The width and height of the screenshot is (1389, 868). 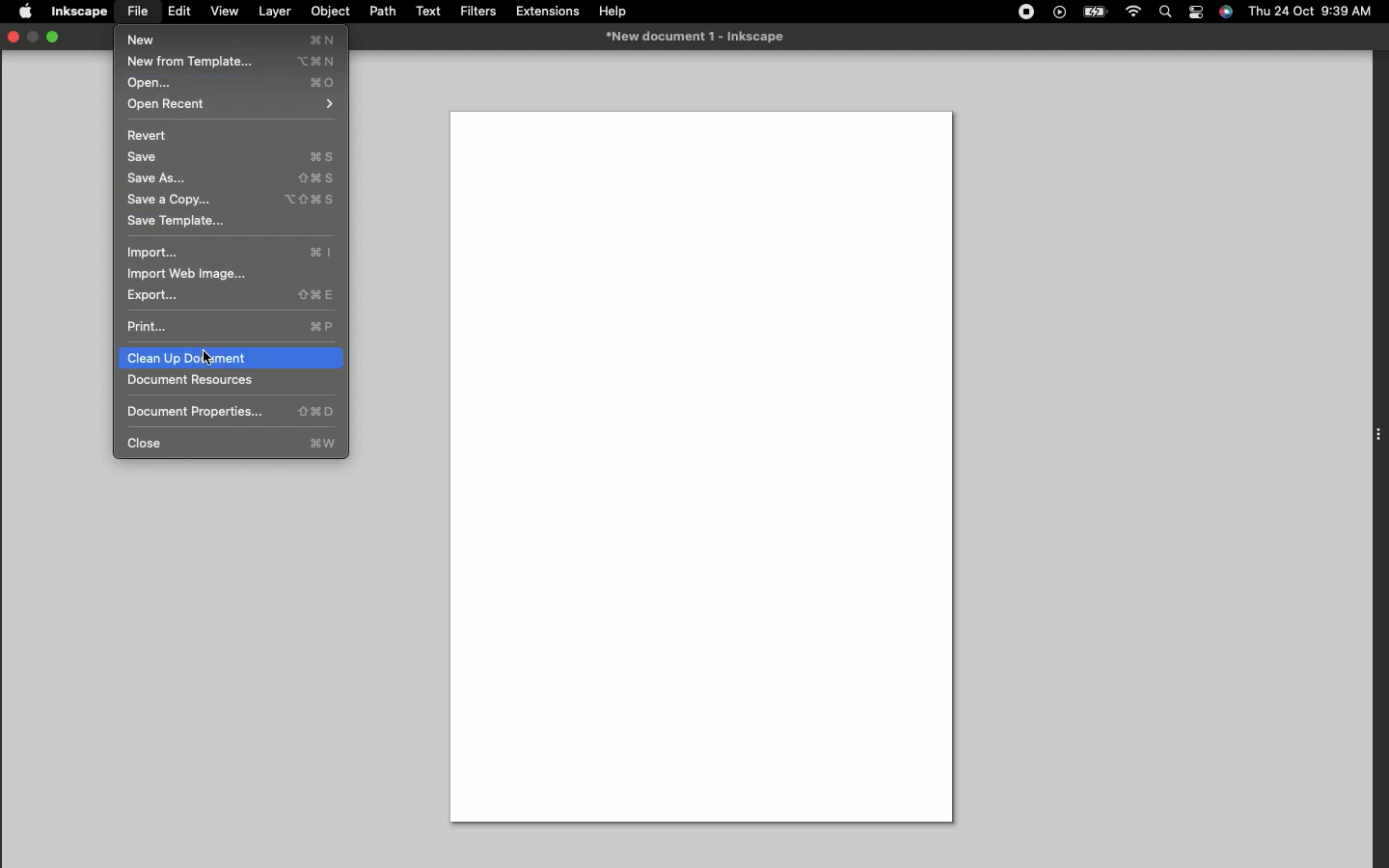 I want to click on Revert, so click(x=153, y=136).